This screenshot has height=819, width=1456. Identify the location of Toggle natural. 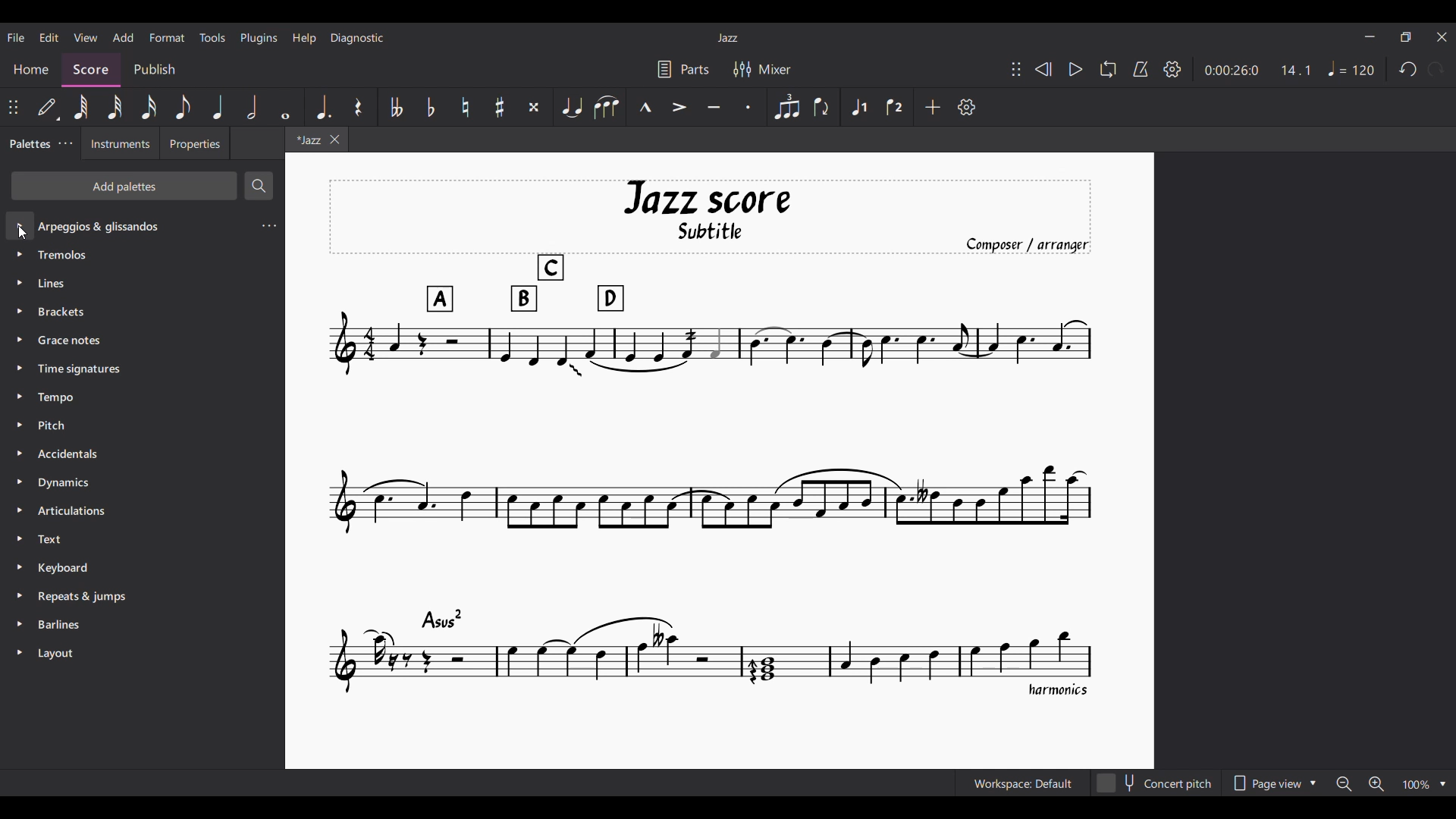
(466, 107).